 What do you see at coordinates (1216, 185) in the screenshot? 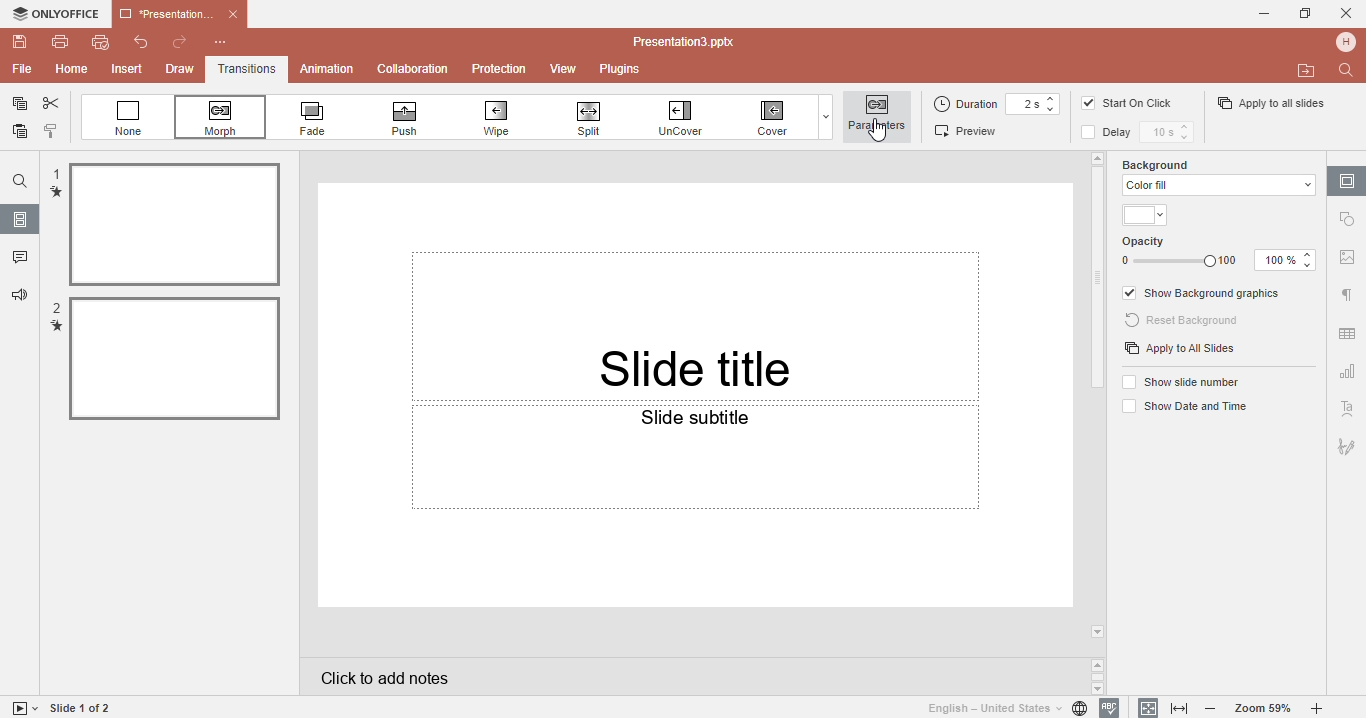
I see `color fill` at bounding box center [1216, 185].